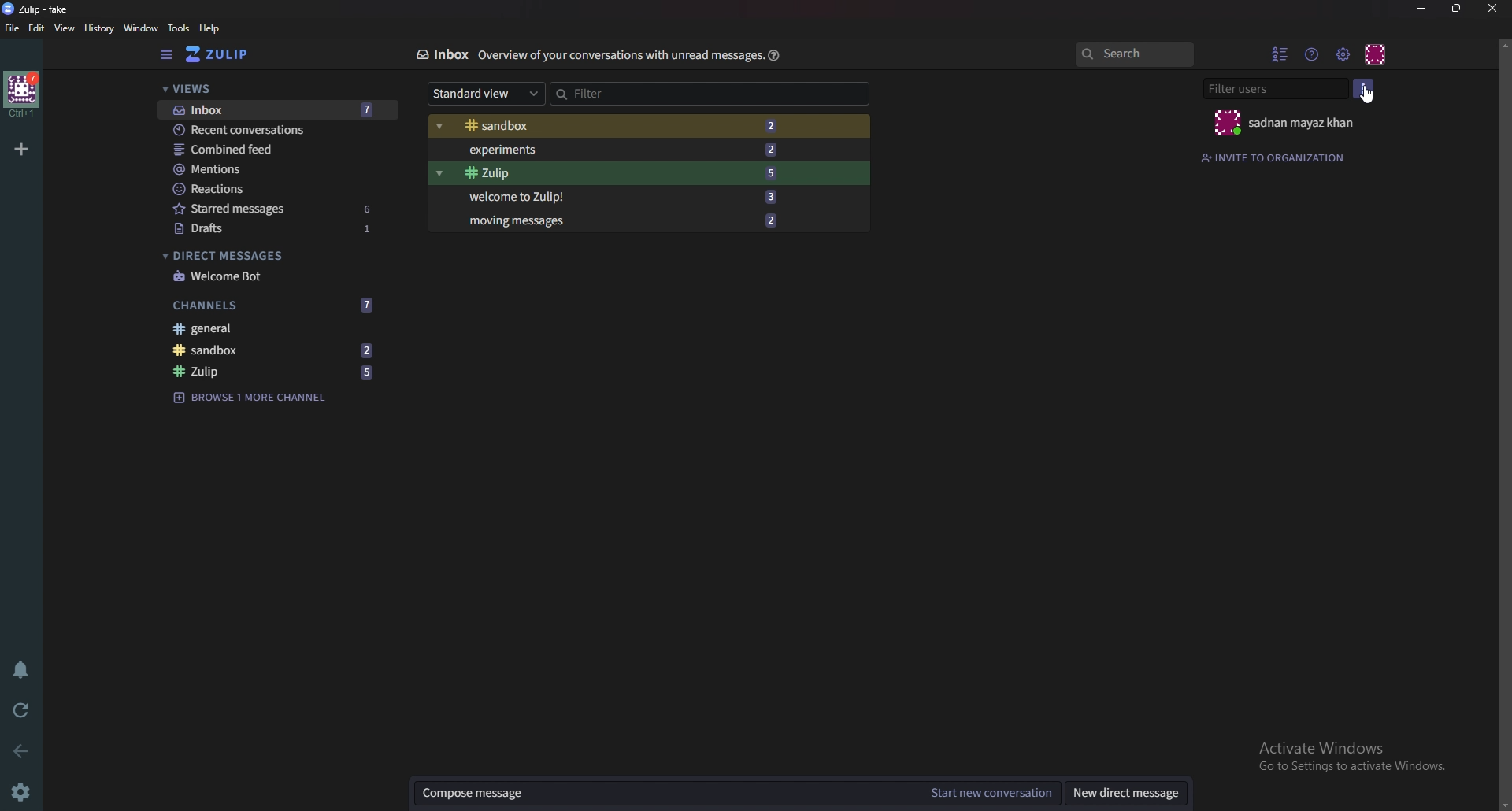 This screenshot has height=811, width=1512. What do you see at coordinates (39, 9) in the screenshot?
I see `zulip` at bounding box center [39, 9].